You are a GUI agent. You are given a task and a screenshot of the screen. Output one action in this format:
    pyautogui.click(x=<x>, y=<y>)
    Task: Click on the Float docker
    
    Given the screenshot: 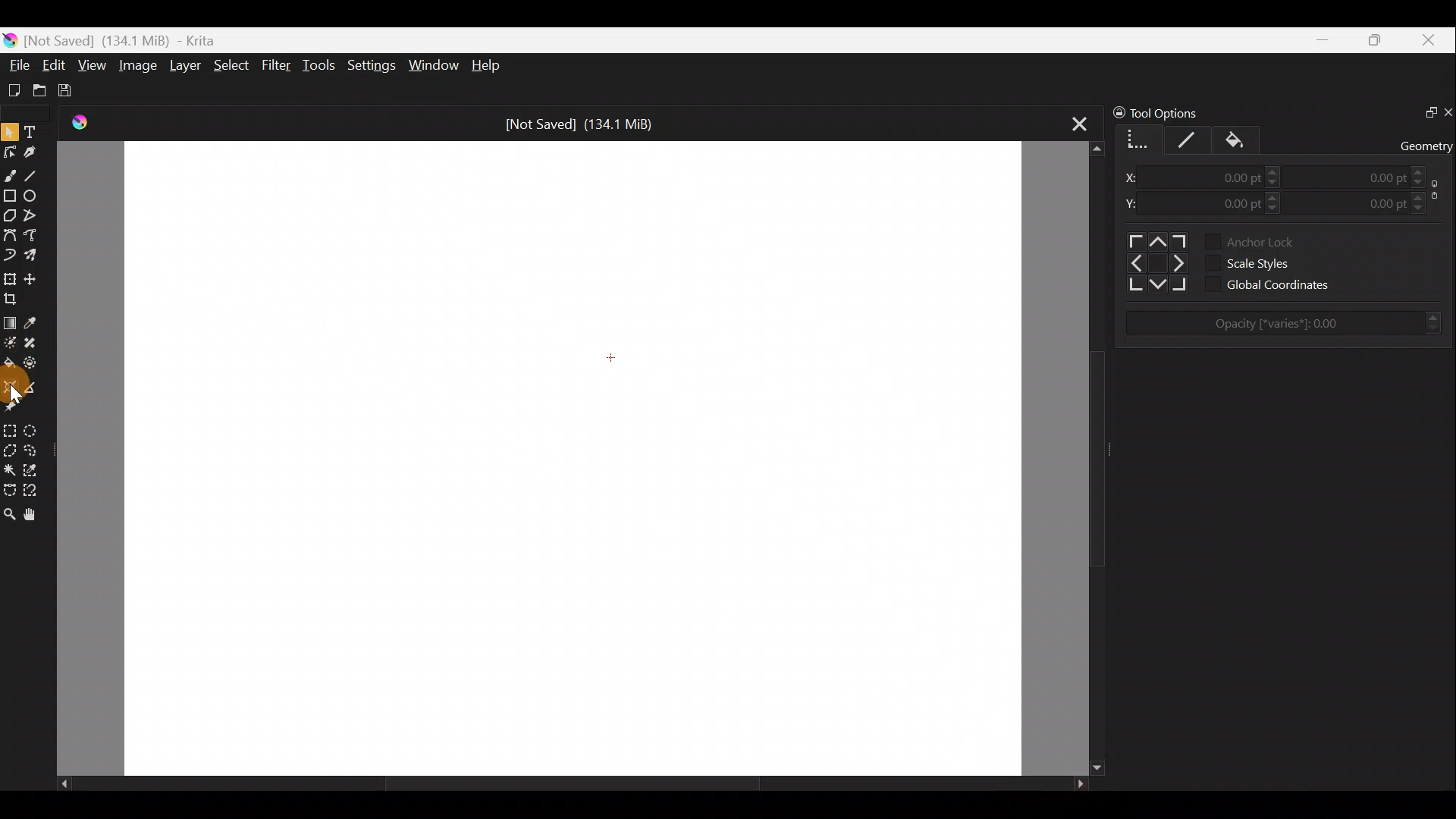 What is the action you would take?
    pyautogui.click(x=1424, y=114)
    